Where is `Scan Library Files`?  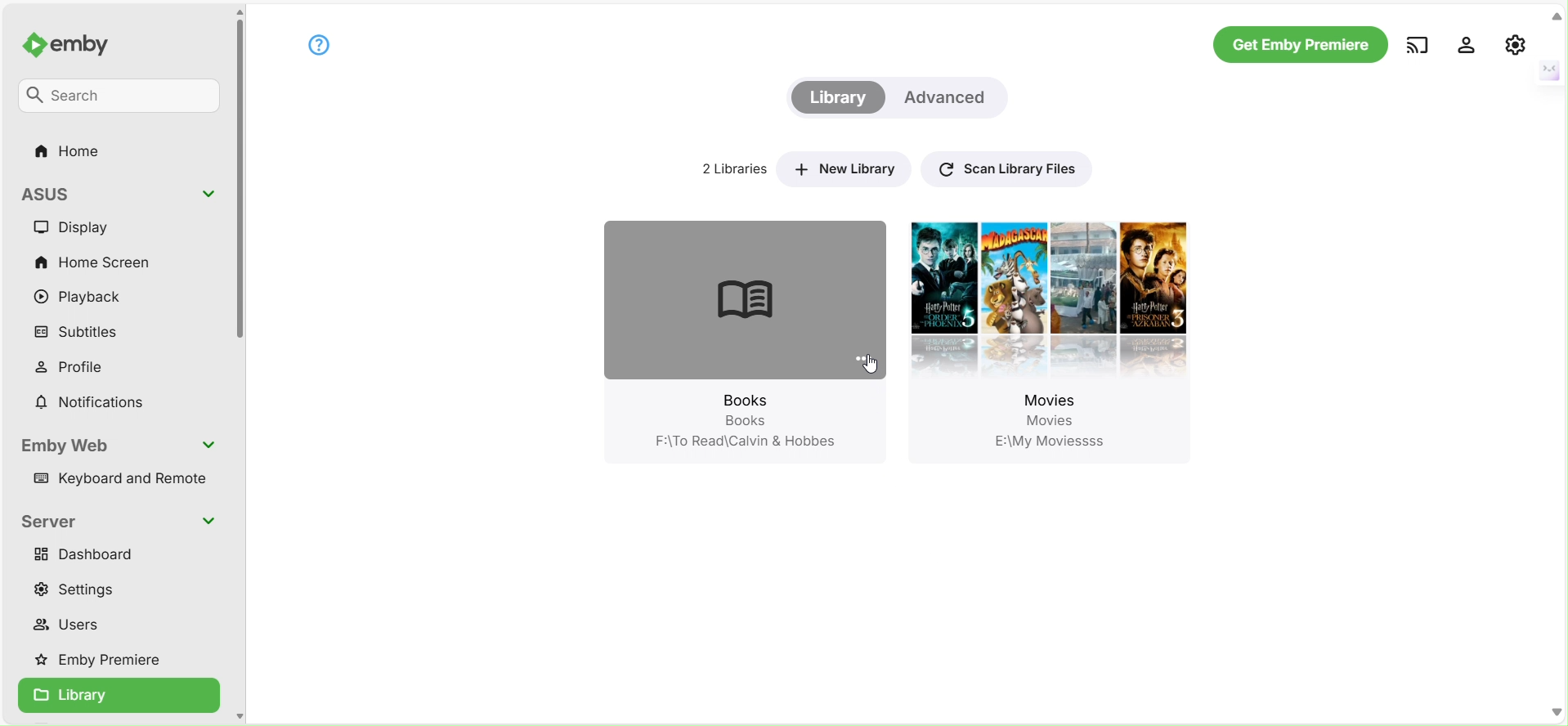 Scan Library Files is located at coordinates (1004, 167).